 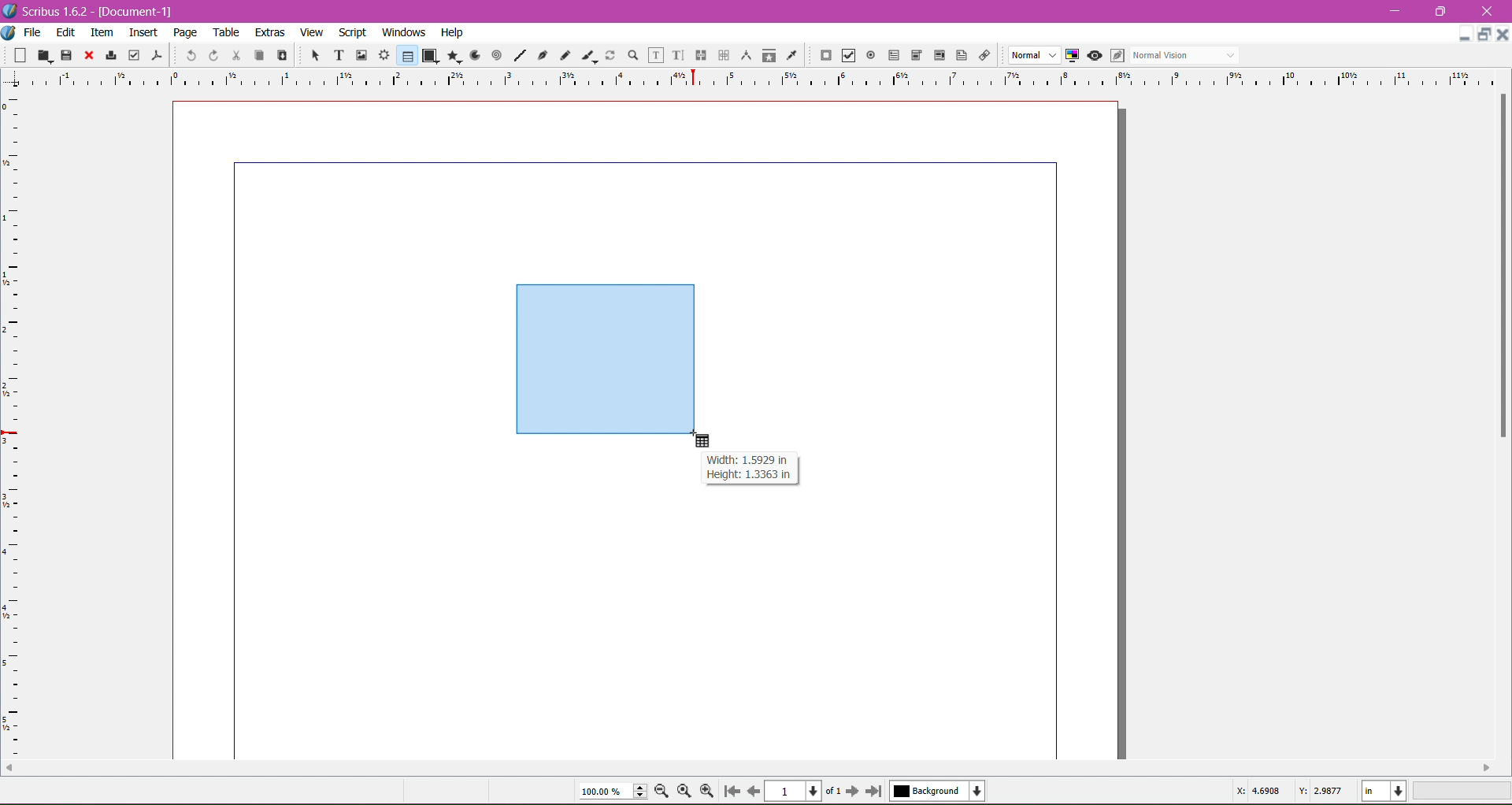 I want to click on Preview Mode, so click(x=1094, y=55).